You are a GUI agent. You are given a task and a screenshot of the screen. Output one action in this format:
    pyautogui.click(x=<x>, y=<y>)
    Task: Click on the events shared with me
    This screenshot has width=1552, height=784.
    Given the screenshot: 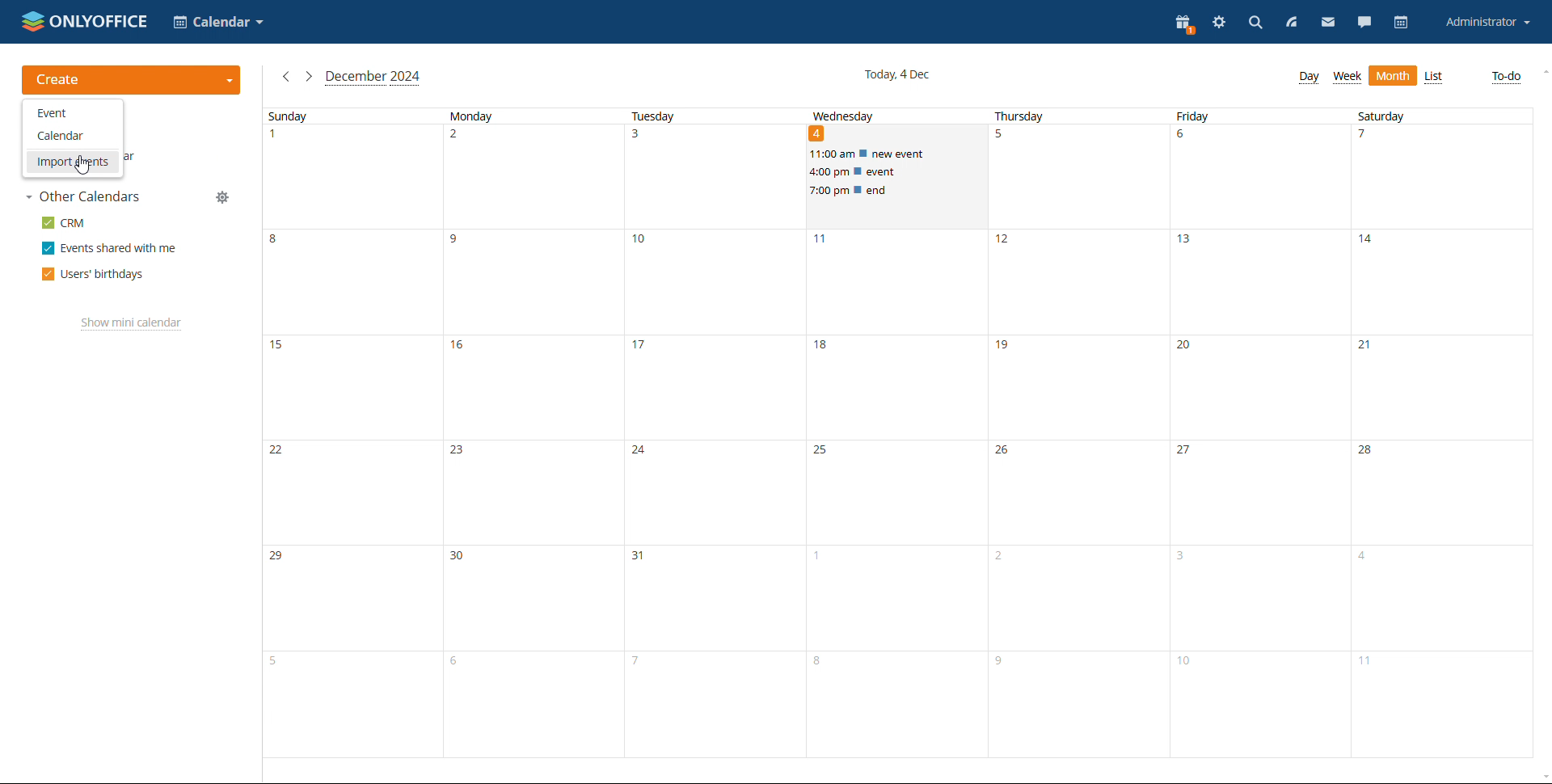 What is the action you would take?
    pyautogui.click(x=109, y=248)
    